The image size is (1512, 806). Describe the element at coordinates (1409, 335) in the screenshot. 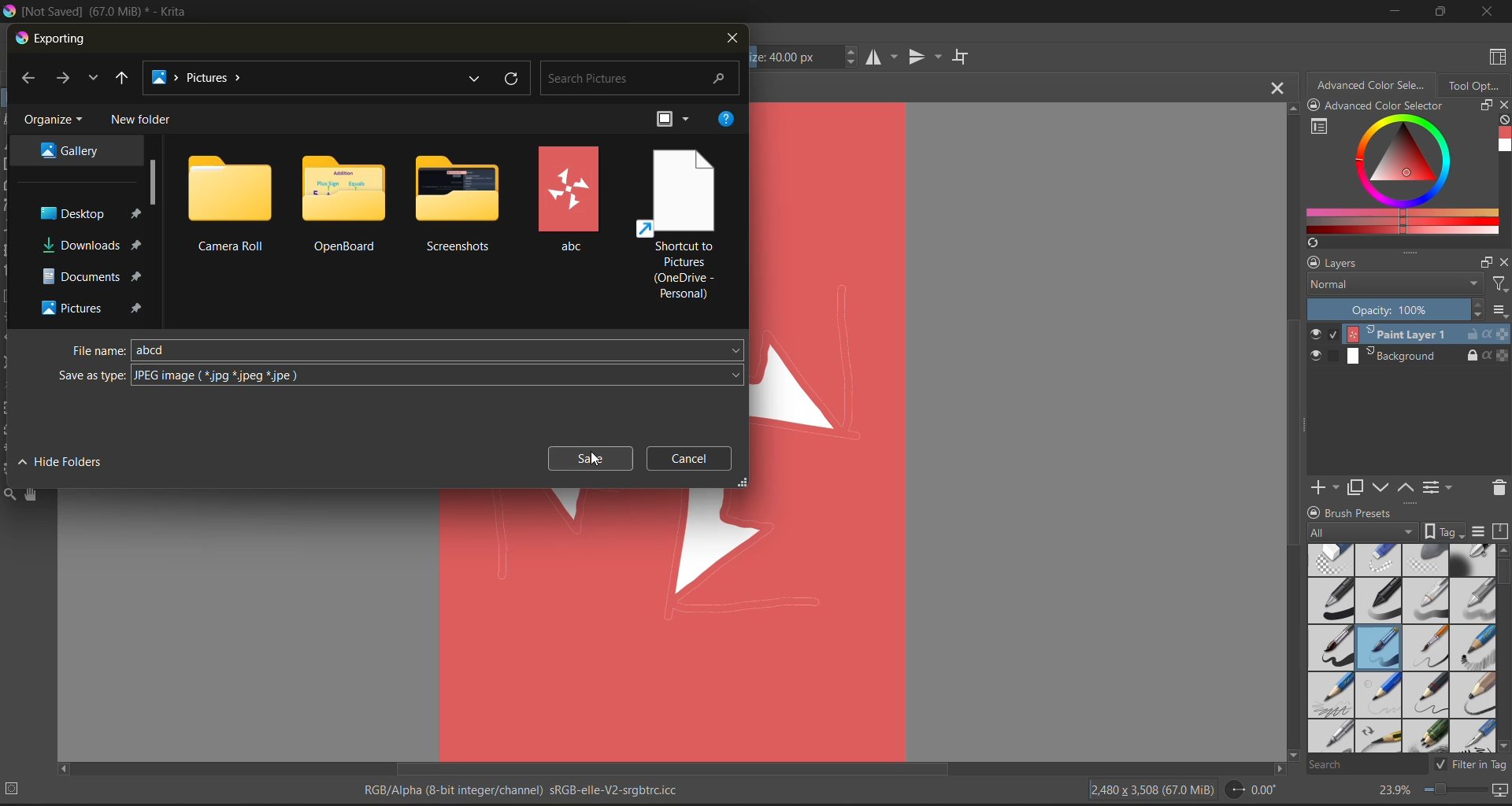

I see `layer` at that location.